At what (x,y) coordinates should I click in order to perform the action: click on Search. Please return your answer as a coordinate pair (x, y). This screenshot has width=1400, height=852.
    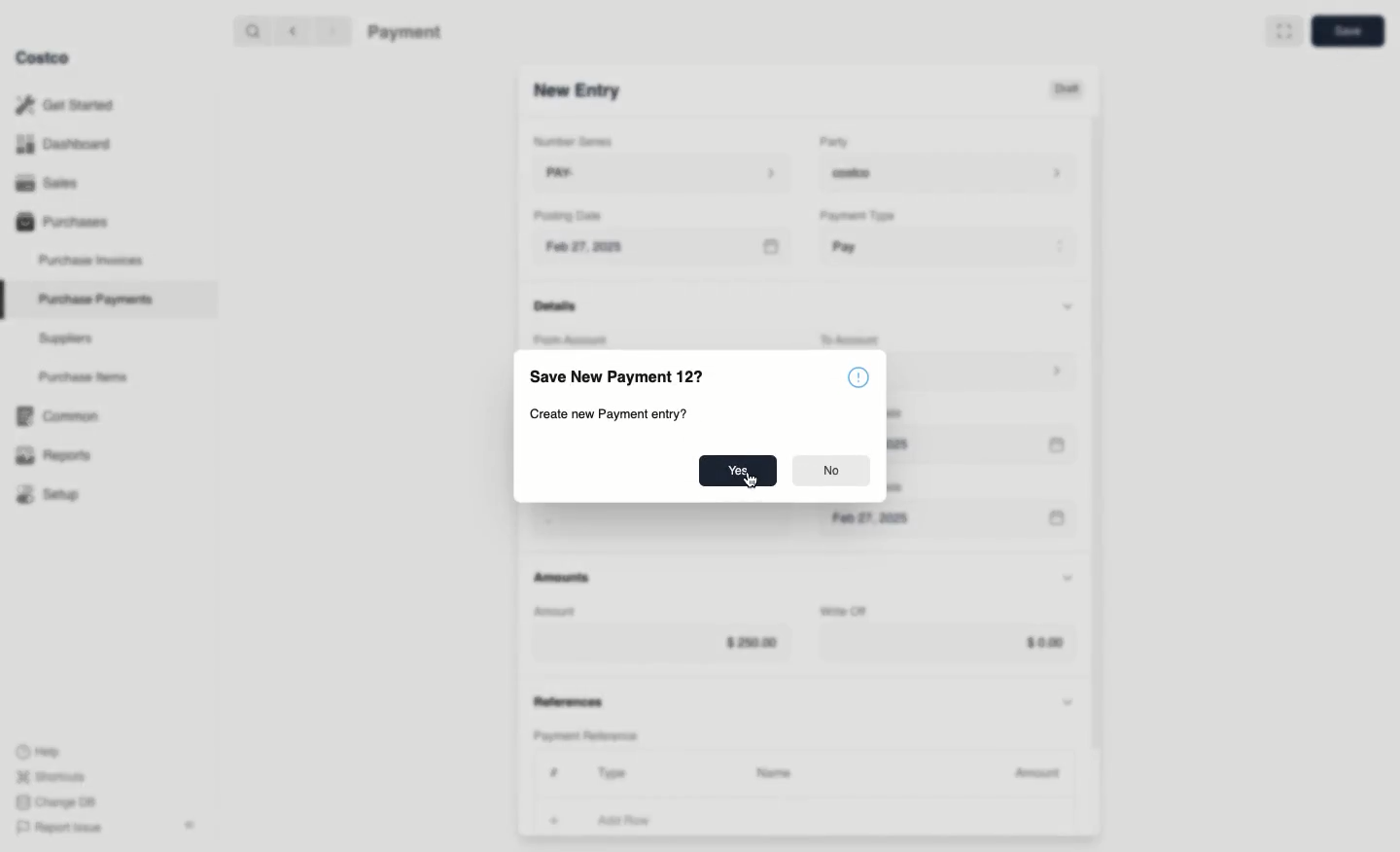
    Looking at the image, I should click on (252, 29).